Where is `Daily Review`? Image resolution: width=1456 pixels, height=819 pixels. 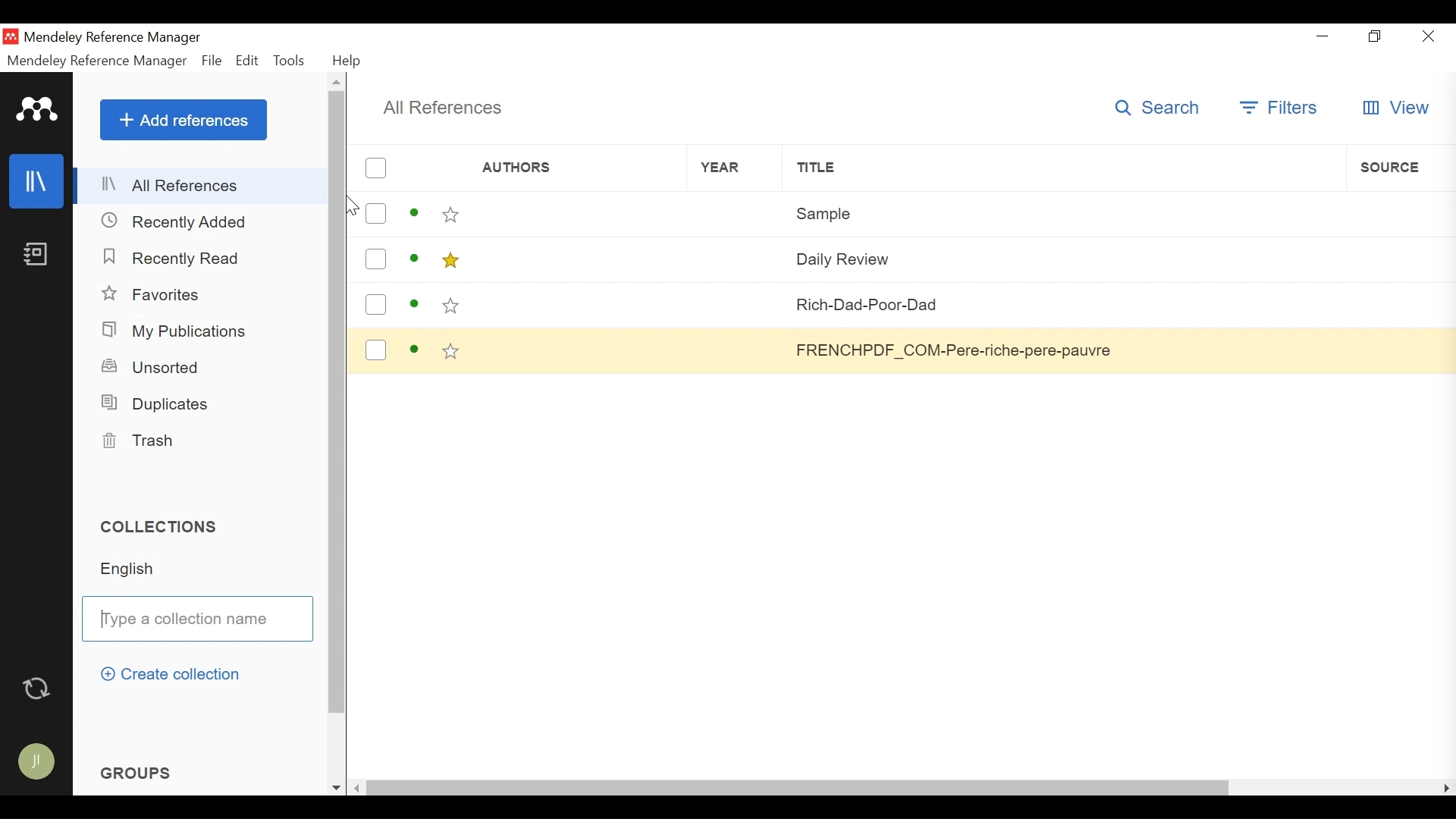
Daily Review is located at coordinates (1062, 257).